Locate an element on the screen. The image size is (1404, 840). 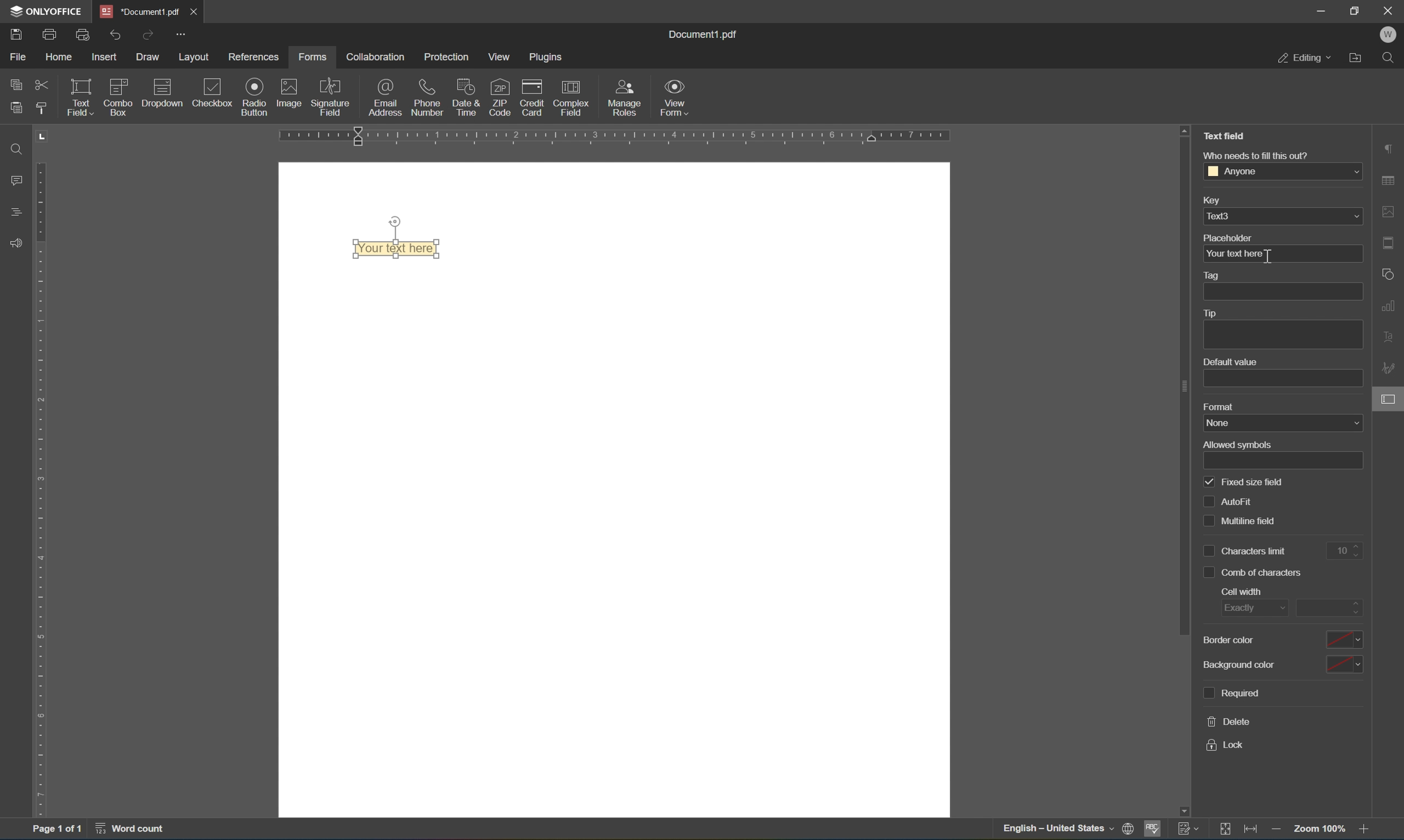
document1.pdf is located at coordinates (702, 36).